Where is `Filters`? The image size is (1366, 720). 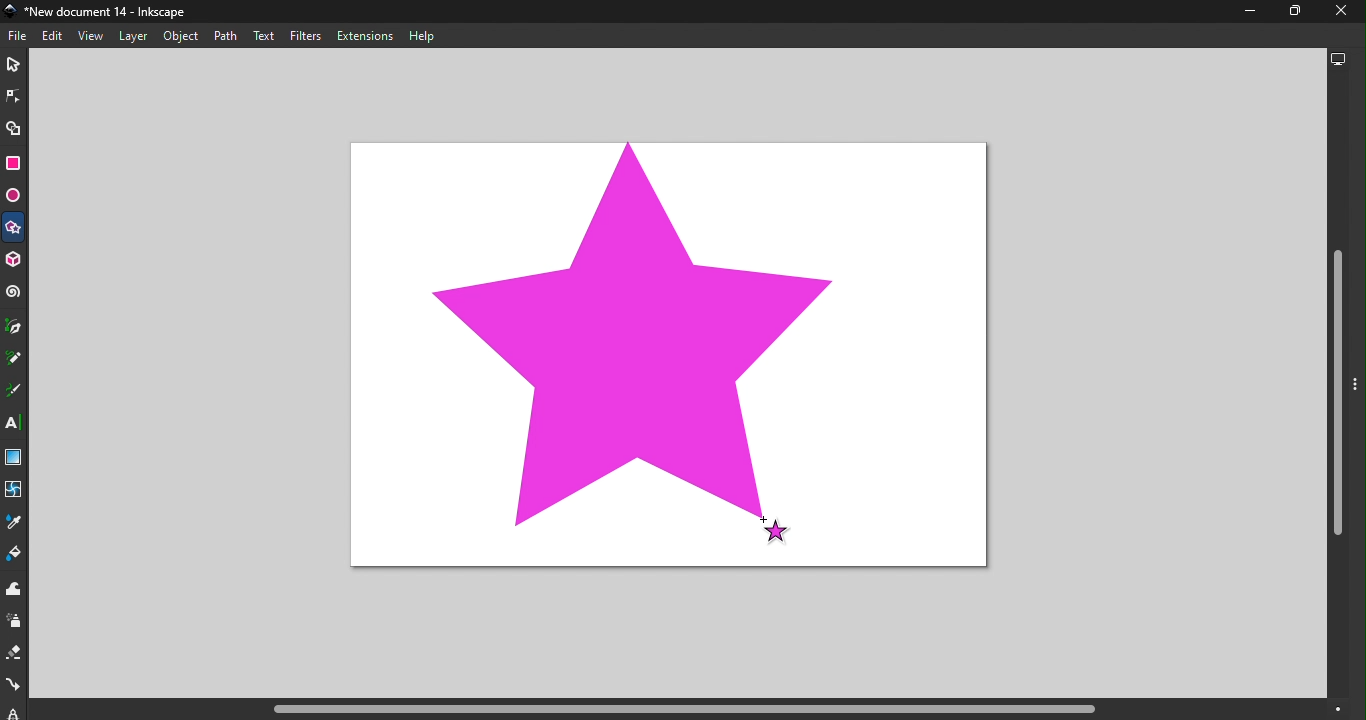
Filters is located at coordinates (305, 37).